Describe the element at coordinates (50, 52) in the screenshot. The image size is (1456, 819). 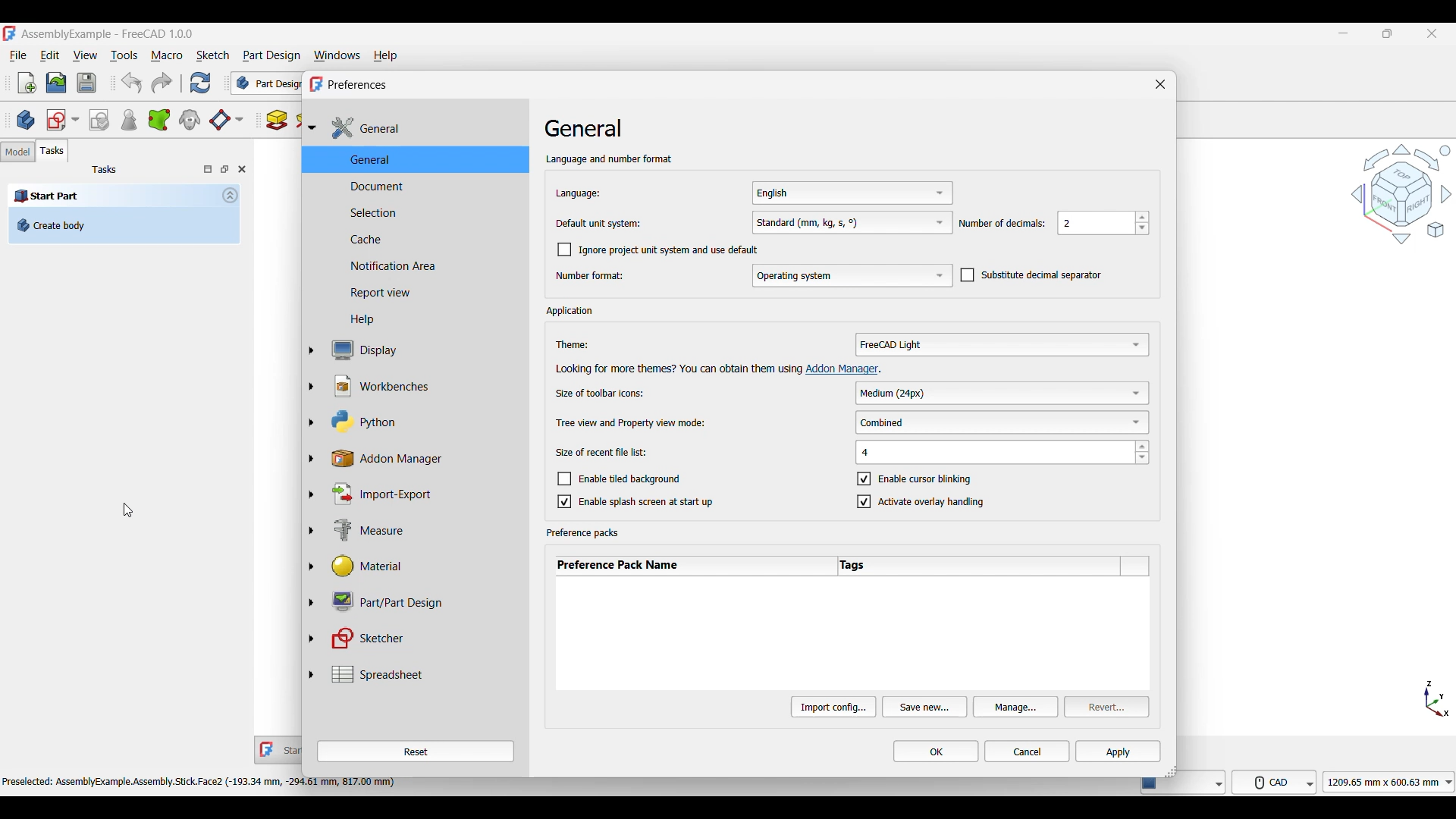
I see `Edit menu, highlighted` at that location.